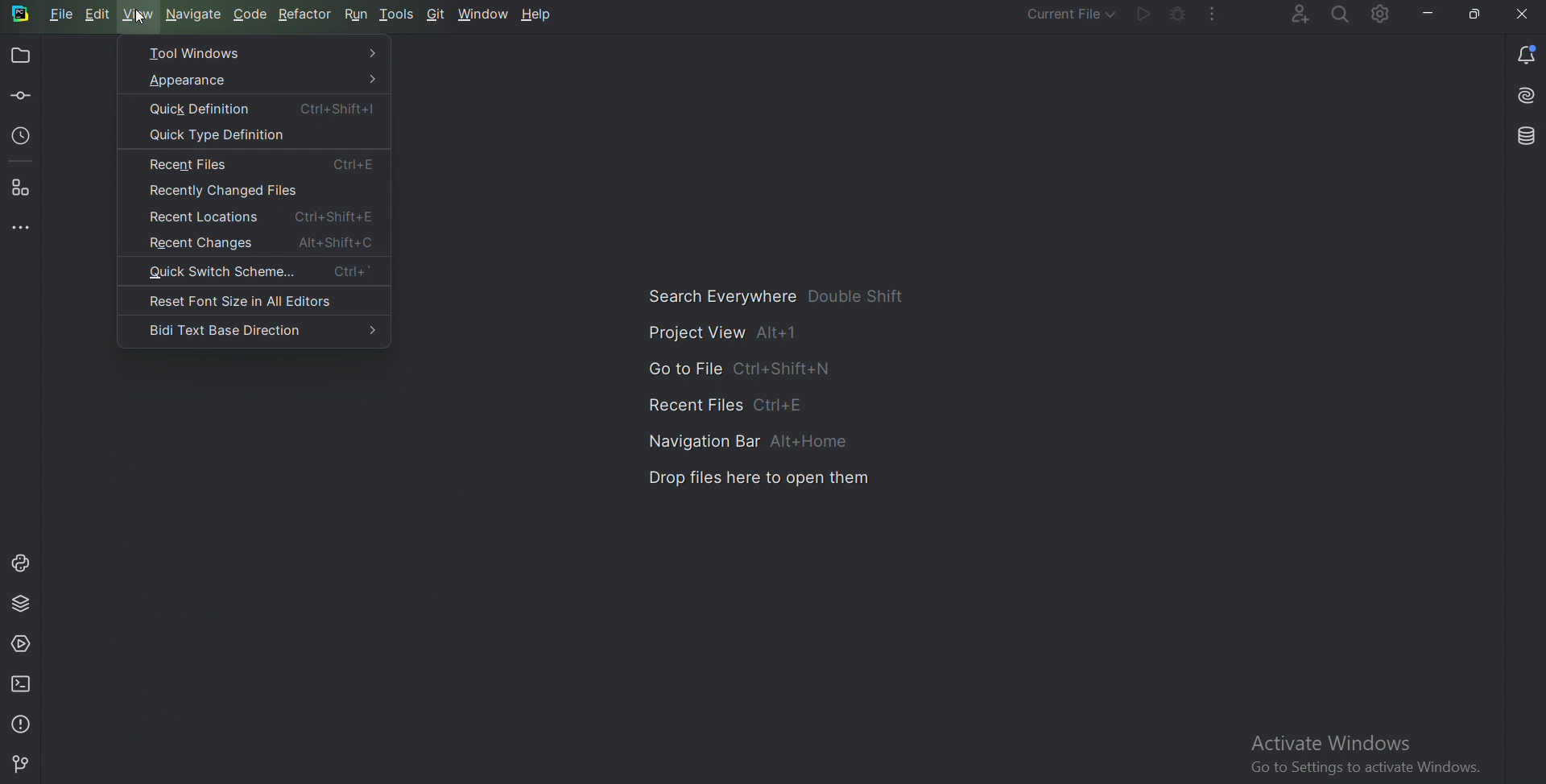 This screenshot has height=784, width=1546. Describe the element at coordinates (357, 14) in the screenshot. I see `Run ` at that location.